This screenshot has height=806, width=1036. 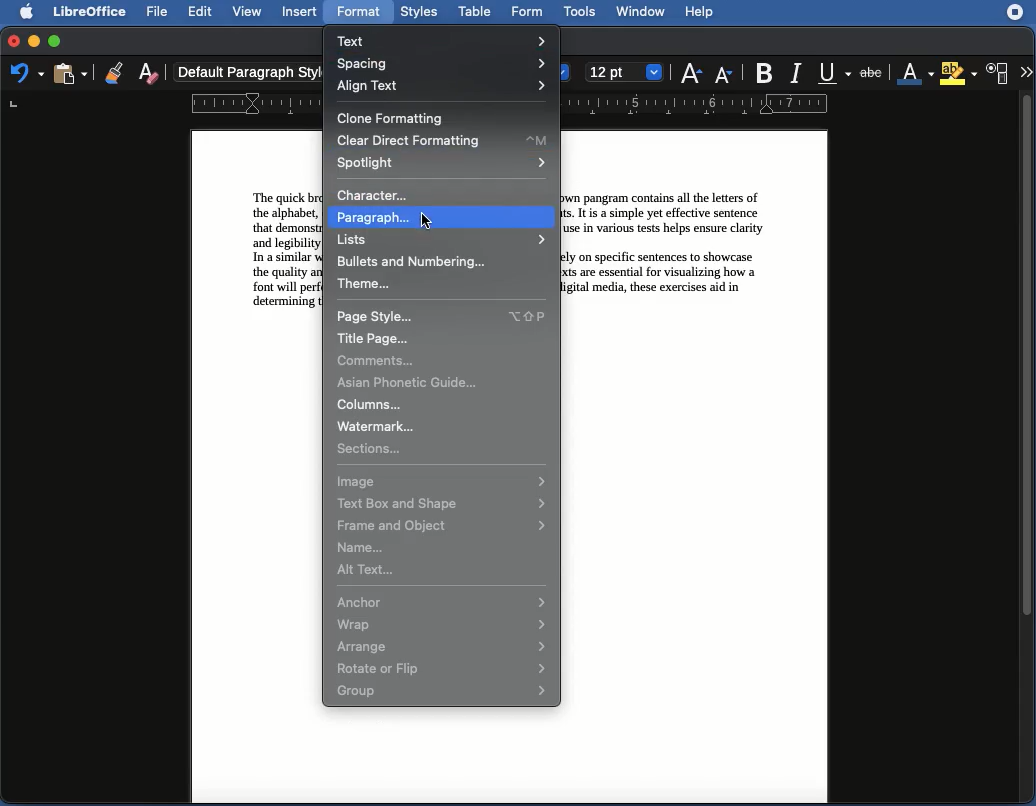 What do you see at coordinates (444, 668) in the screenshot?
I see `Rotate` at bounding box center [444, 668].